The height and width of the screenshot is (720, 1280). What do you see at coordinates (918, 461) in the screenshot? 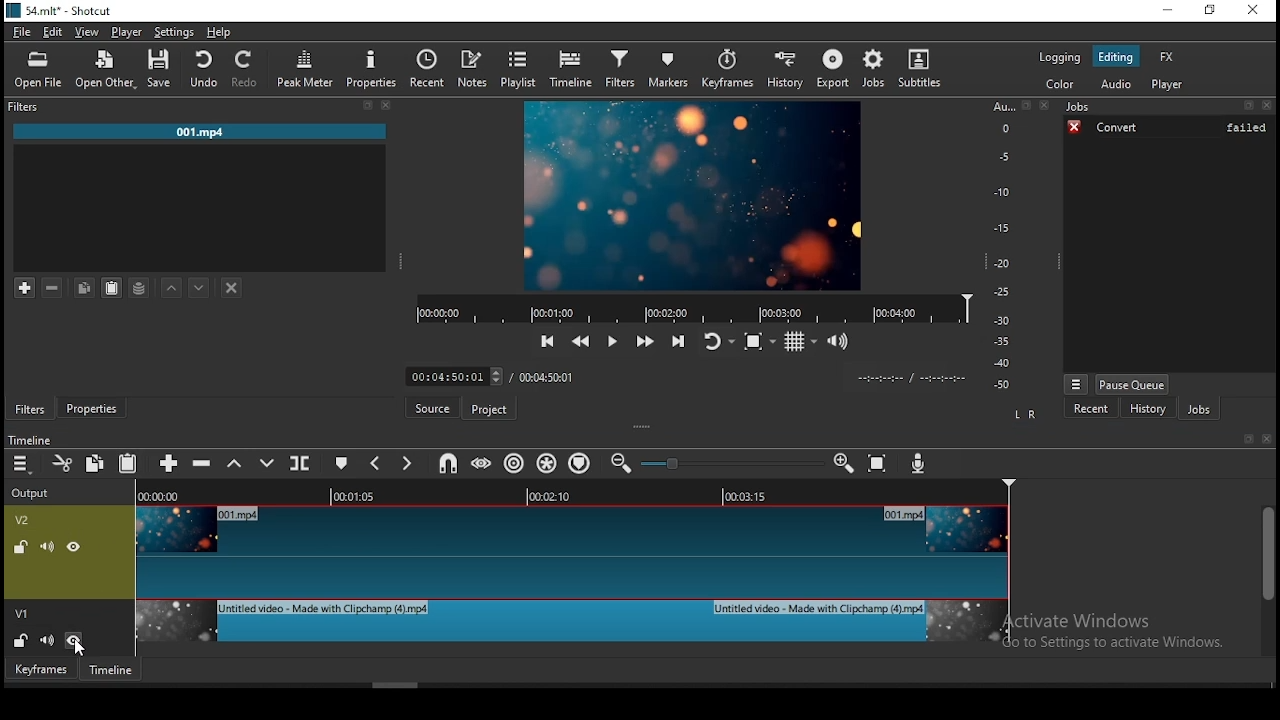
I see `record audio` at bounding box center [918, 461].